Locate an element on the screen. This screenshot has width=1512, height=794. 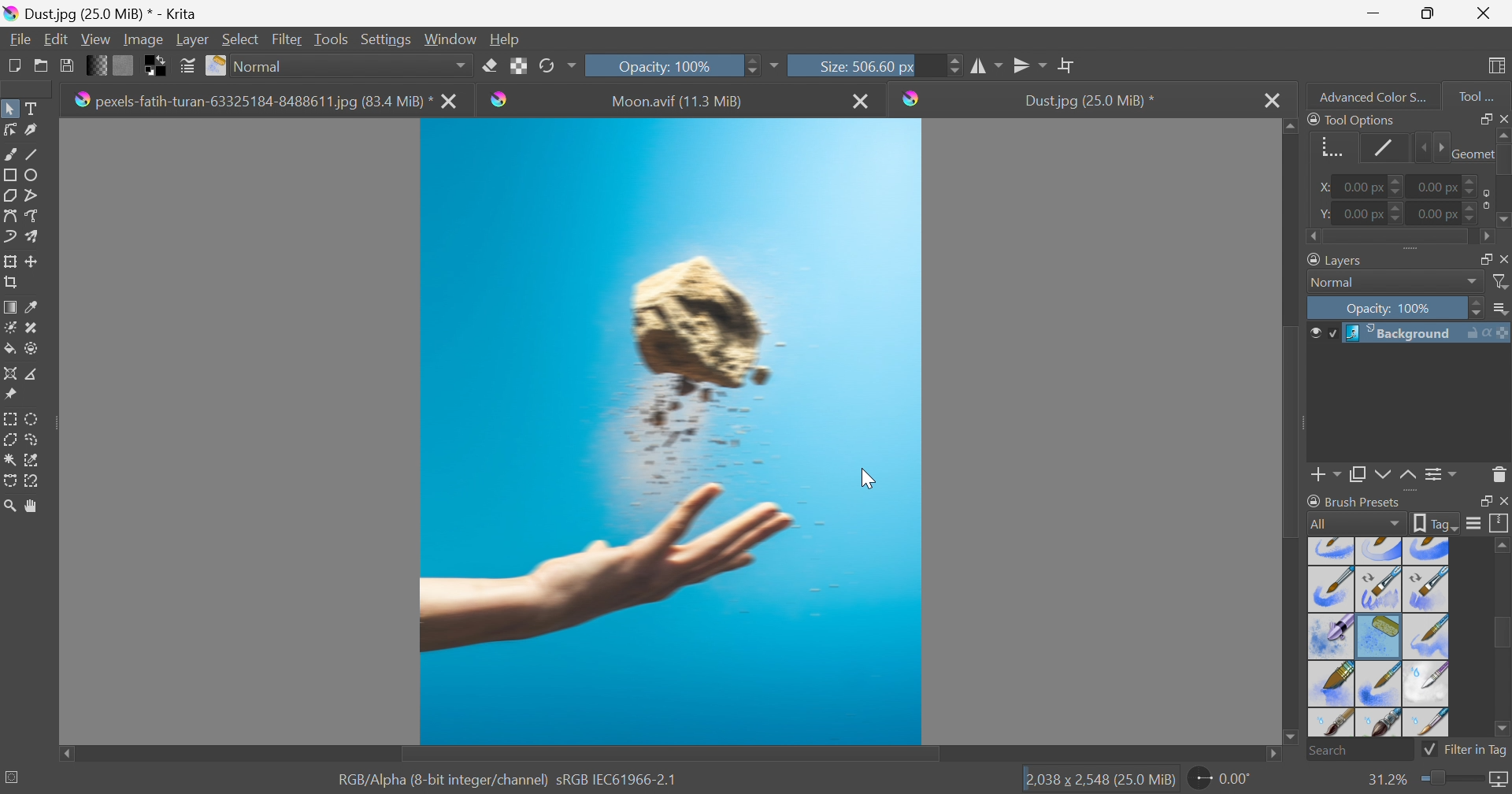
selection tool is located at coordinates (9, 483).